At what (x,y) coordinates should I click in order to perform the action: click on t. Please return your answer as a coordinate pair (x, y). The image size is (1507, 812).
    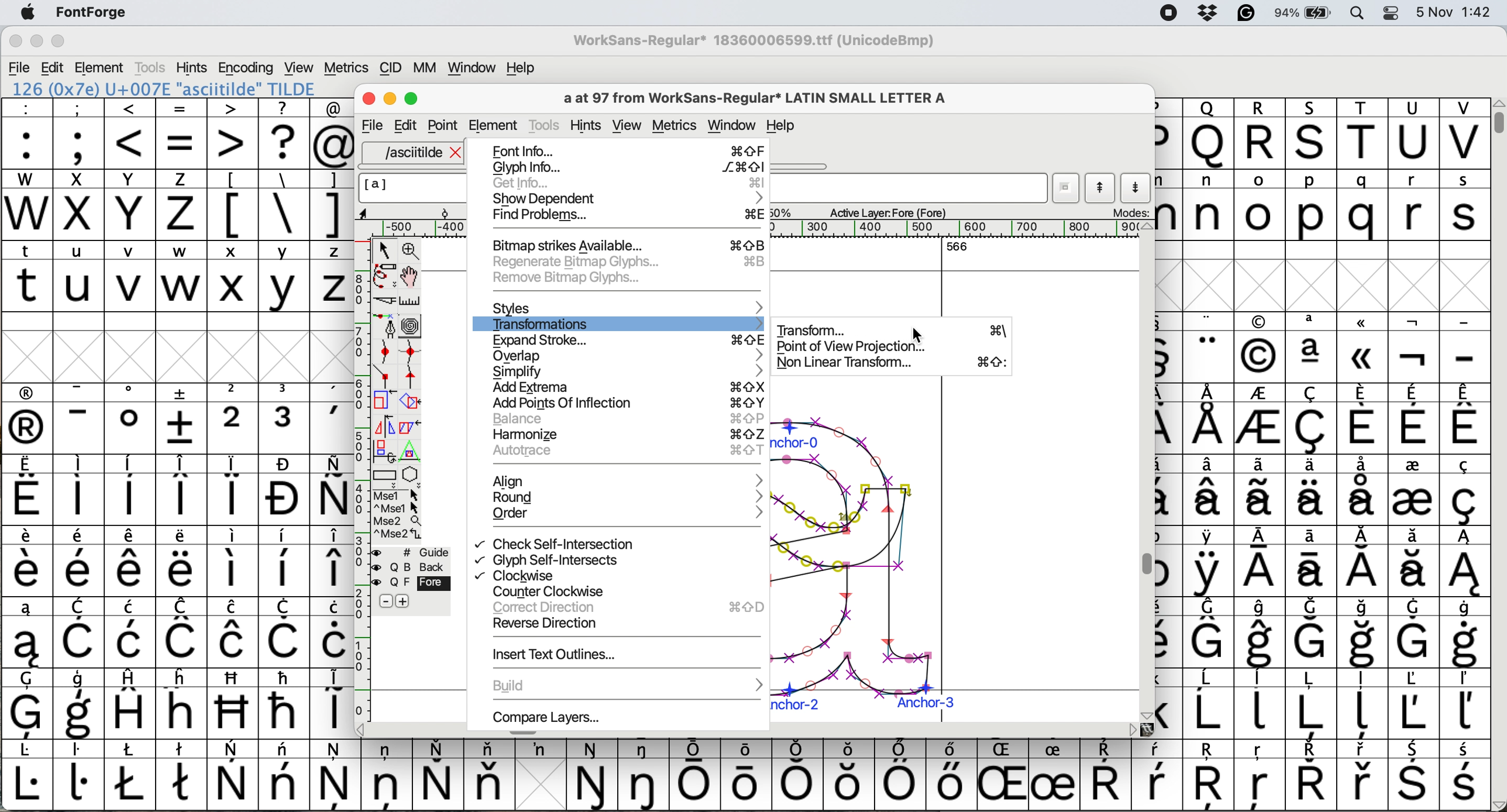
    Looking at the image, I should click on (27, 275).